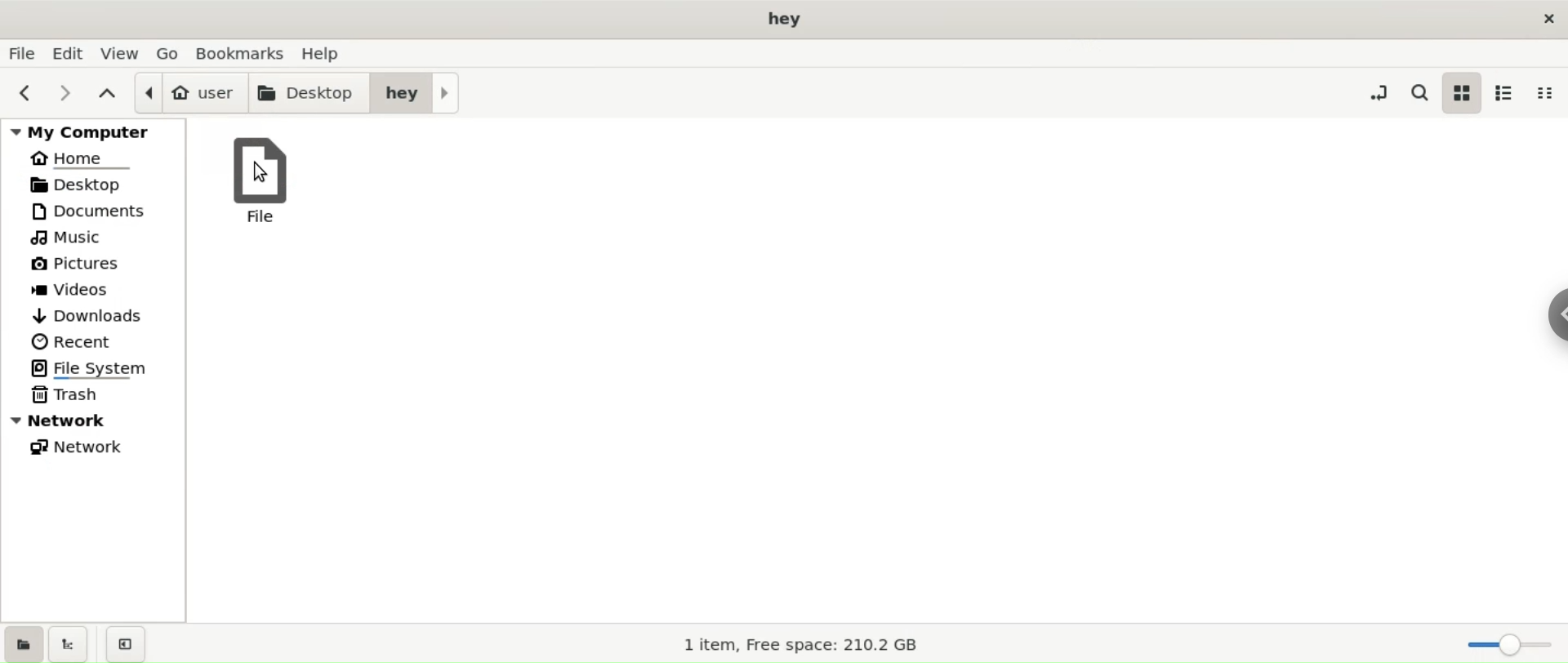 The width and height of the screenshot is (1568, 663). I want to click on search, so click(1418, 93).